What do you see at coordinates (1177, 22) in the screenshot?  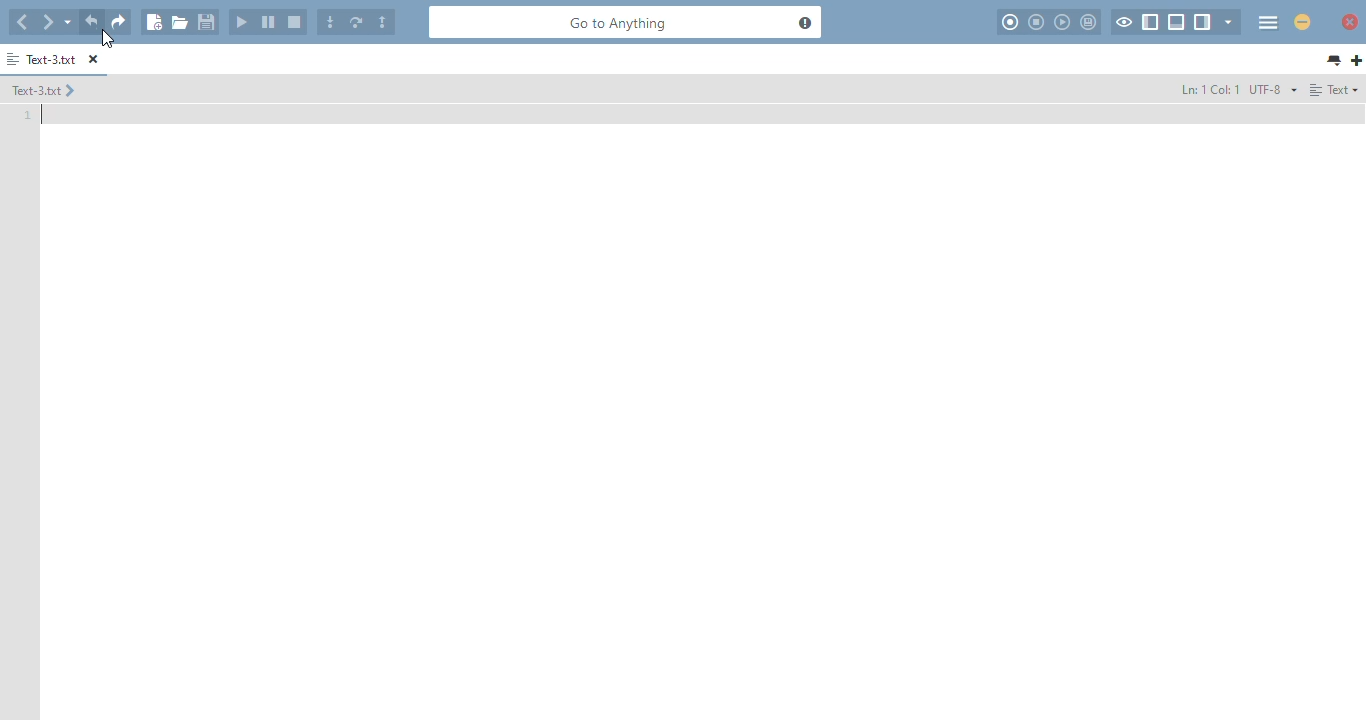 I see `show/hide bottom pane` at bounding box center [1177, 22].